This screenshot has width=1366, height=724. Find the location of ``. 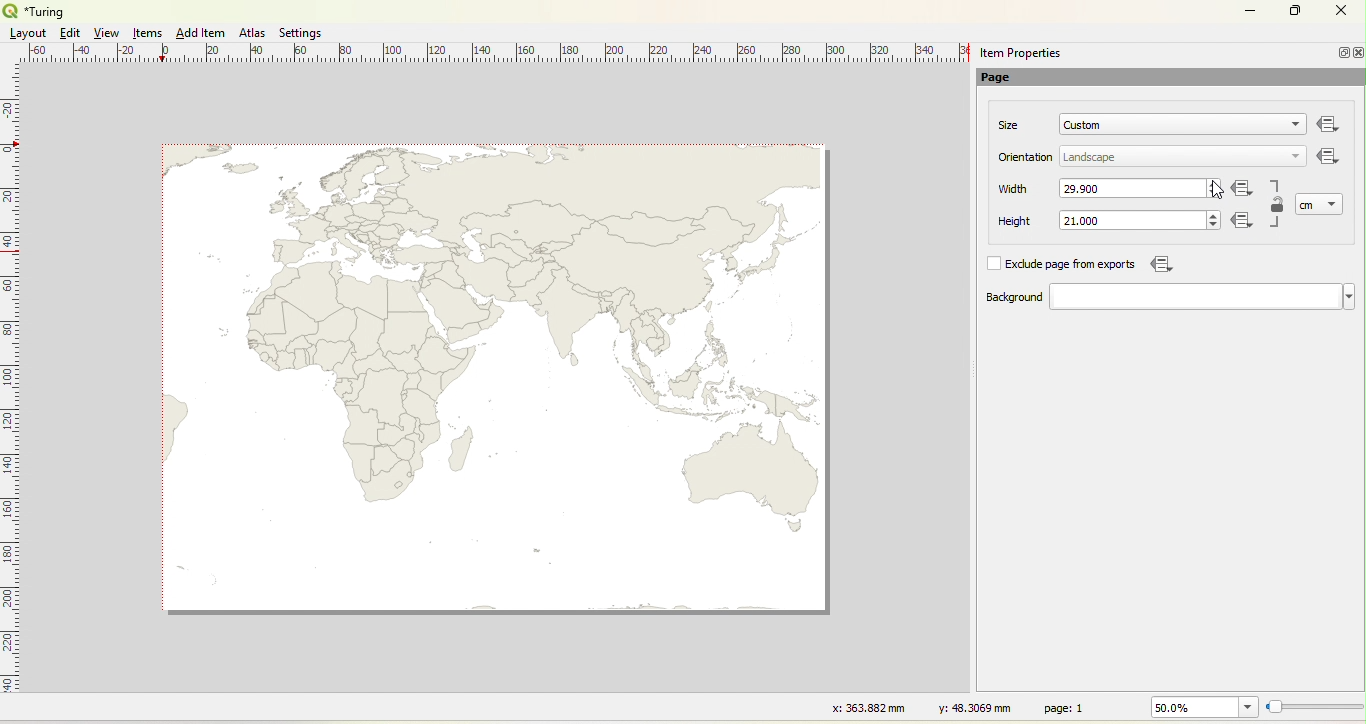

 is located at coordinates (1329, 125).